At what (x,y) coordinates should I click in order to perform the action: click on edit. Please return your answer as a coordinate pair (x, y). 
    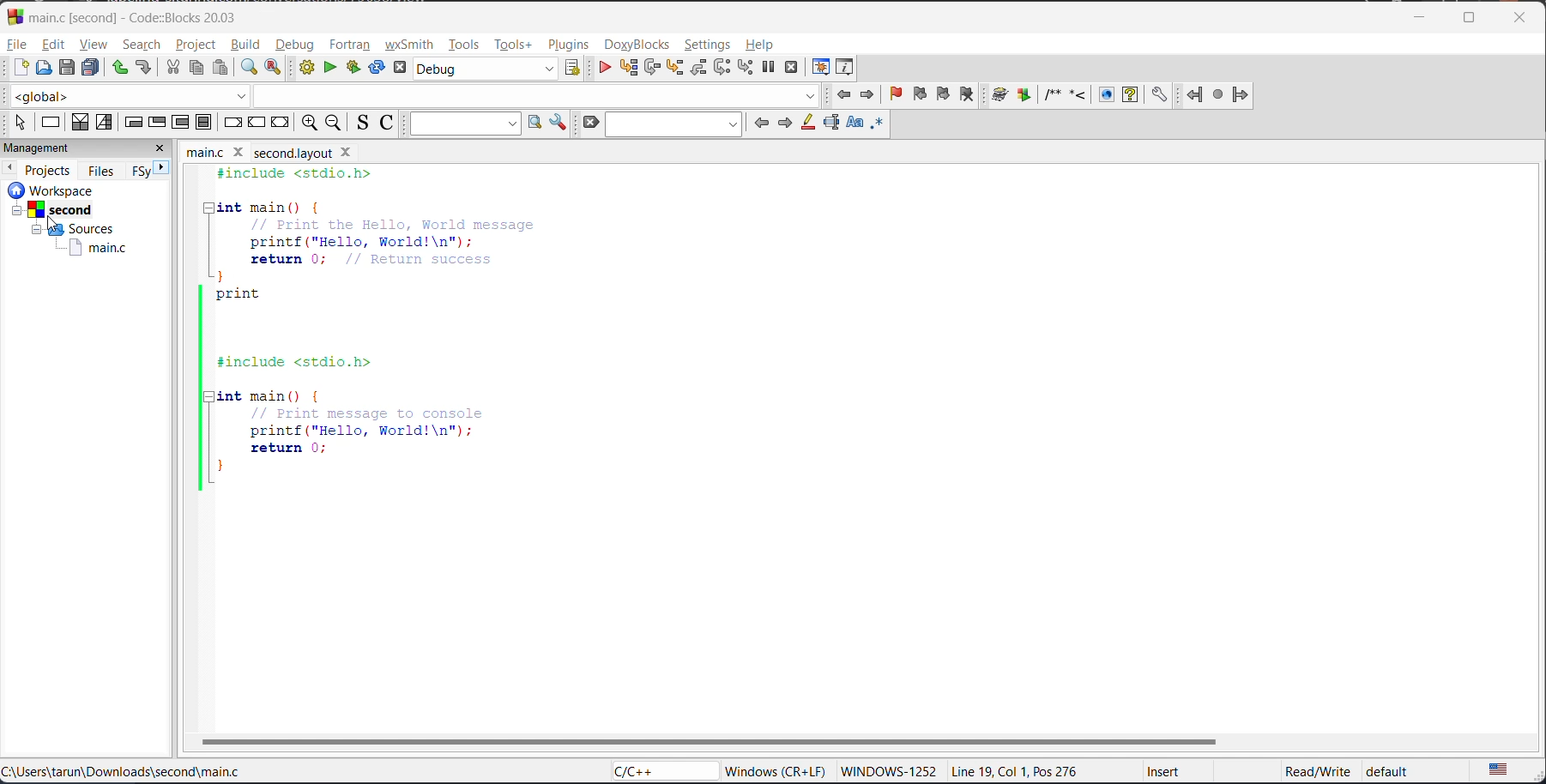
    Looking at the image, I should click on (52, 45).